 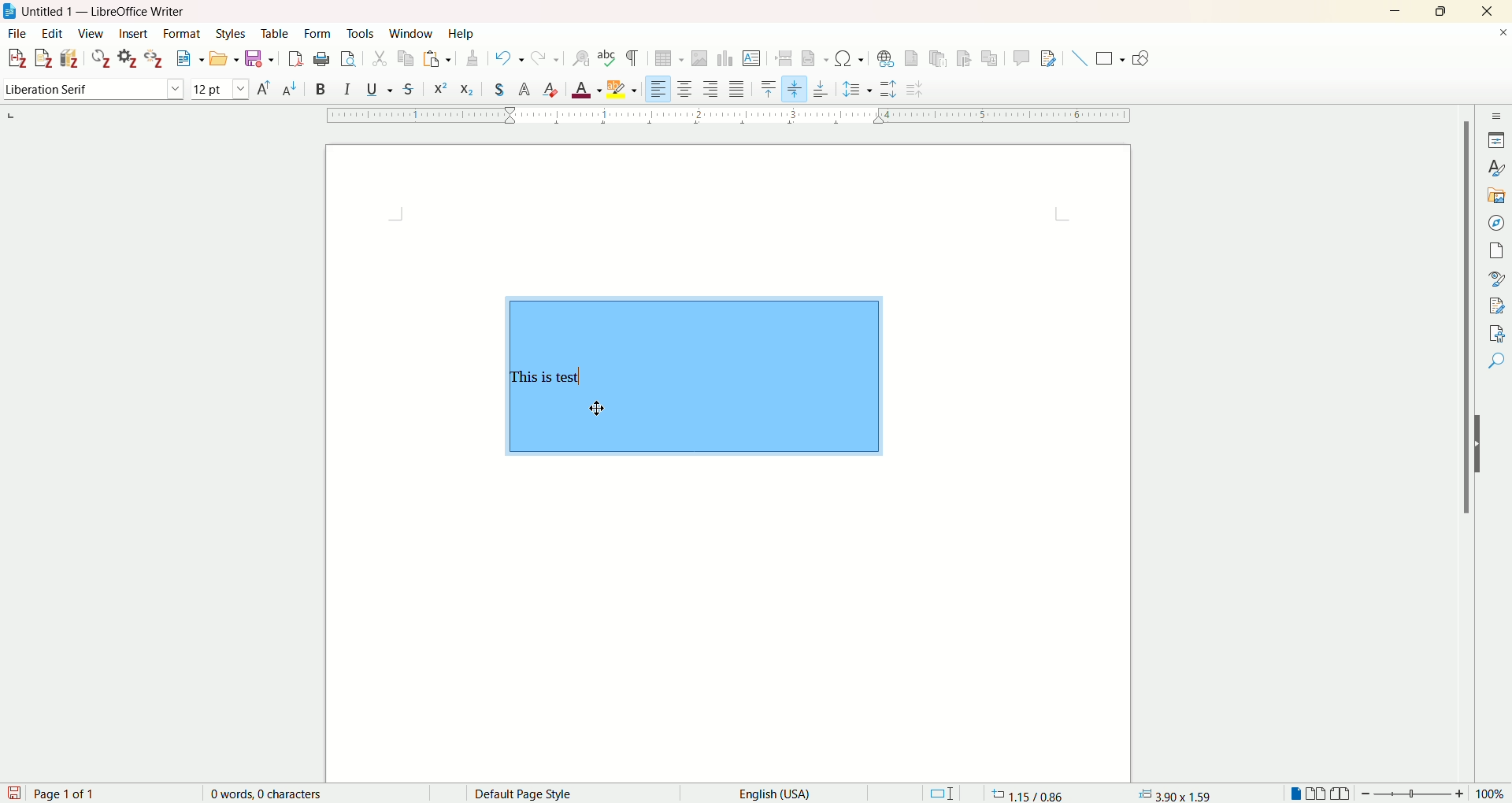 What do you see at coordinates (762, 377) in the screenshot?
I see `Shape` at bounding box center [762, 377].